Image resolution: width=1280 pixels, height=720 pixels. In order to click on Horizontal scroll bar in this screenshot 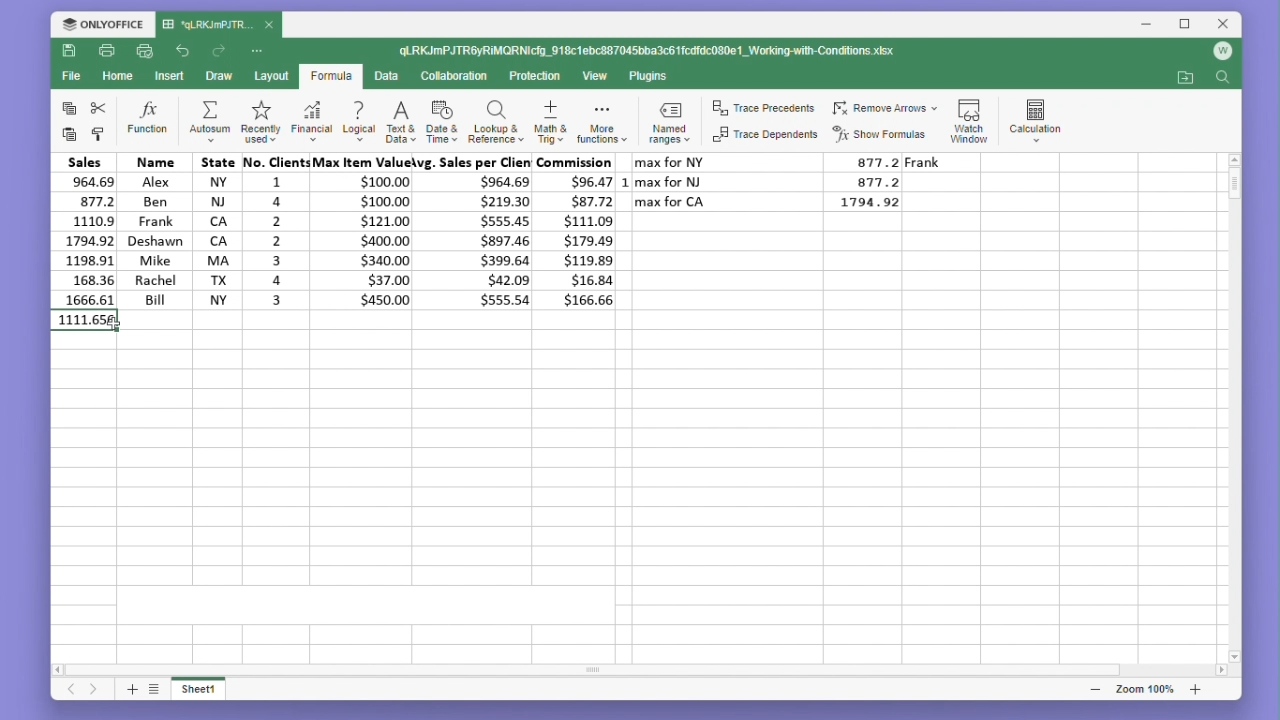, I will do `click(629, 670)`.